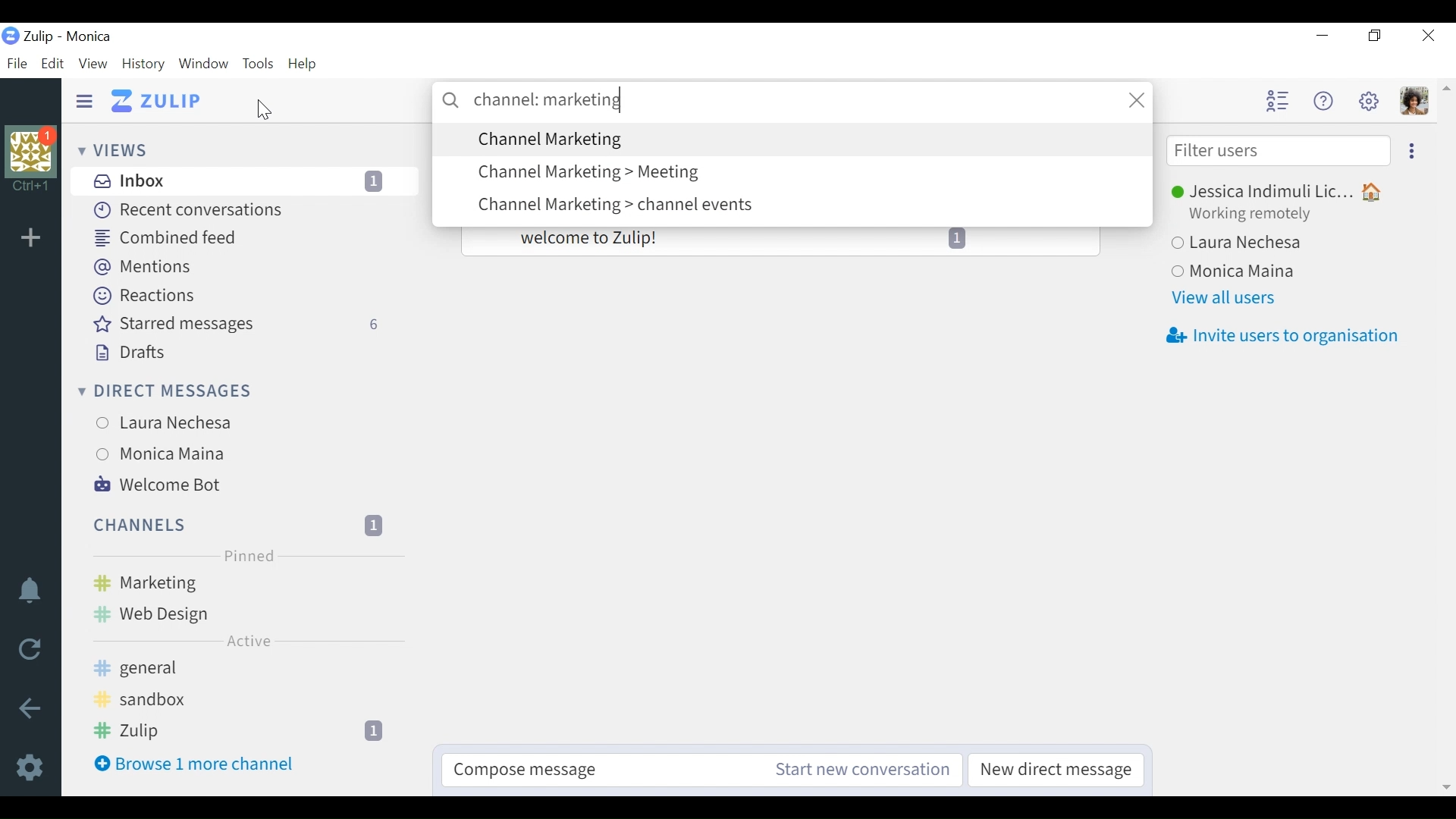  Describe the element at coordinates (1326, 99) in the screenshot. I see `Help` at that location.